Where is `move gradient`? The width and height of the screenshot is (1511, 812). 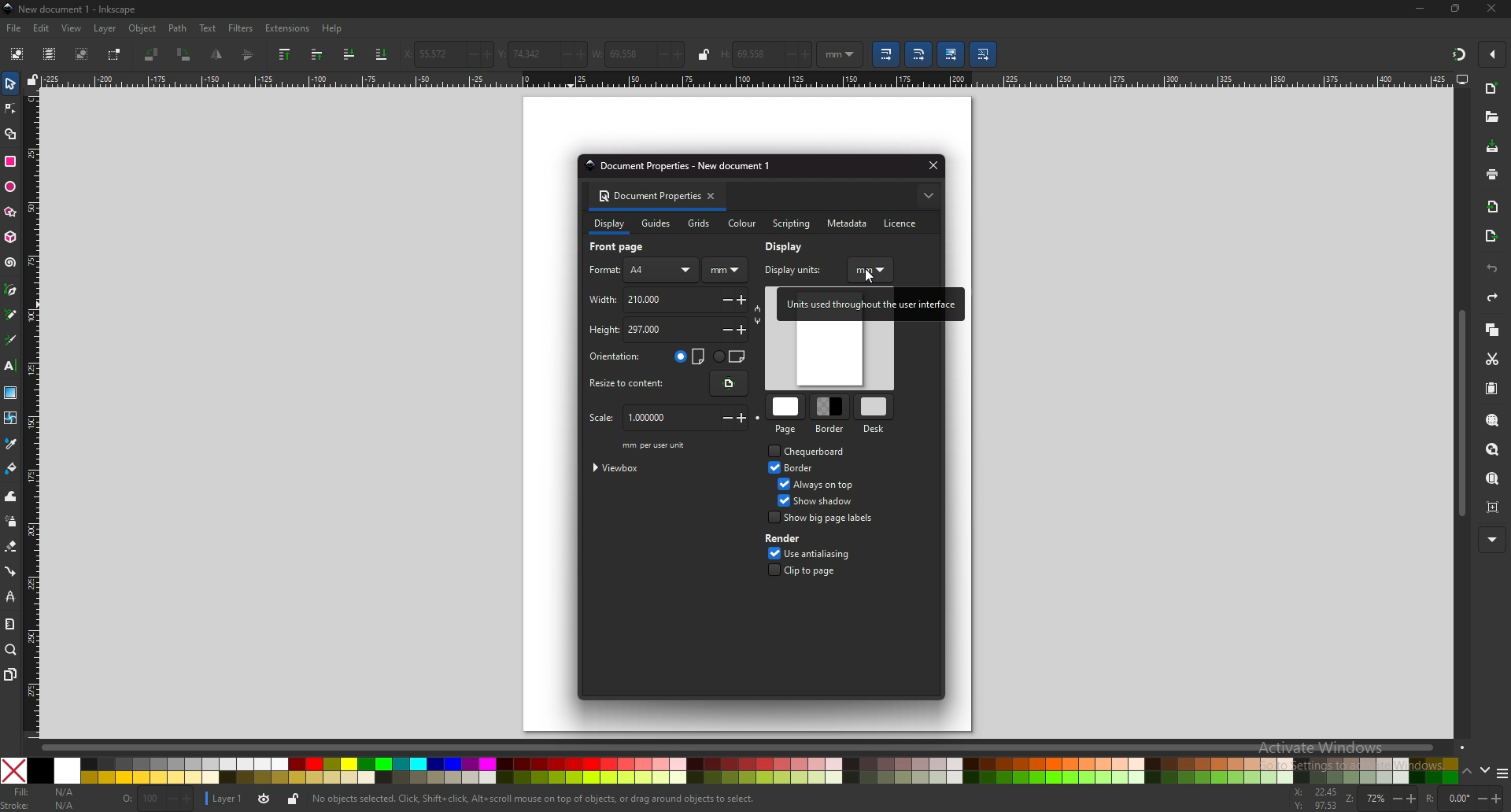
move gradient is located at coordinates (952, 54).